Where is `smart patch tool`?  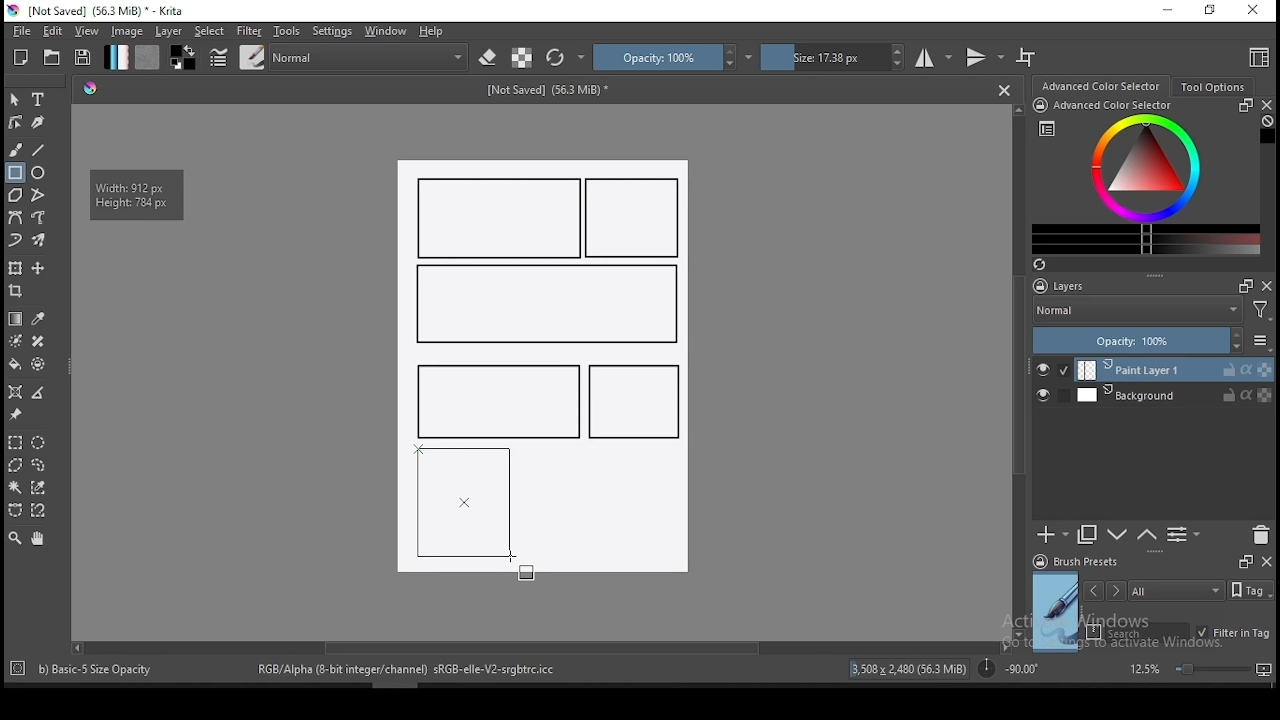
smart patch tool is located at coordinates (38, 341).